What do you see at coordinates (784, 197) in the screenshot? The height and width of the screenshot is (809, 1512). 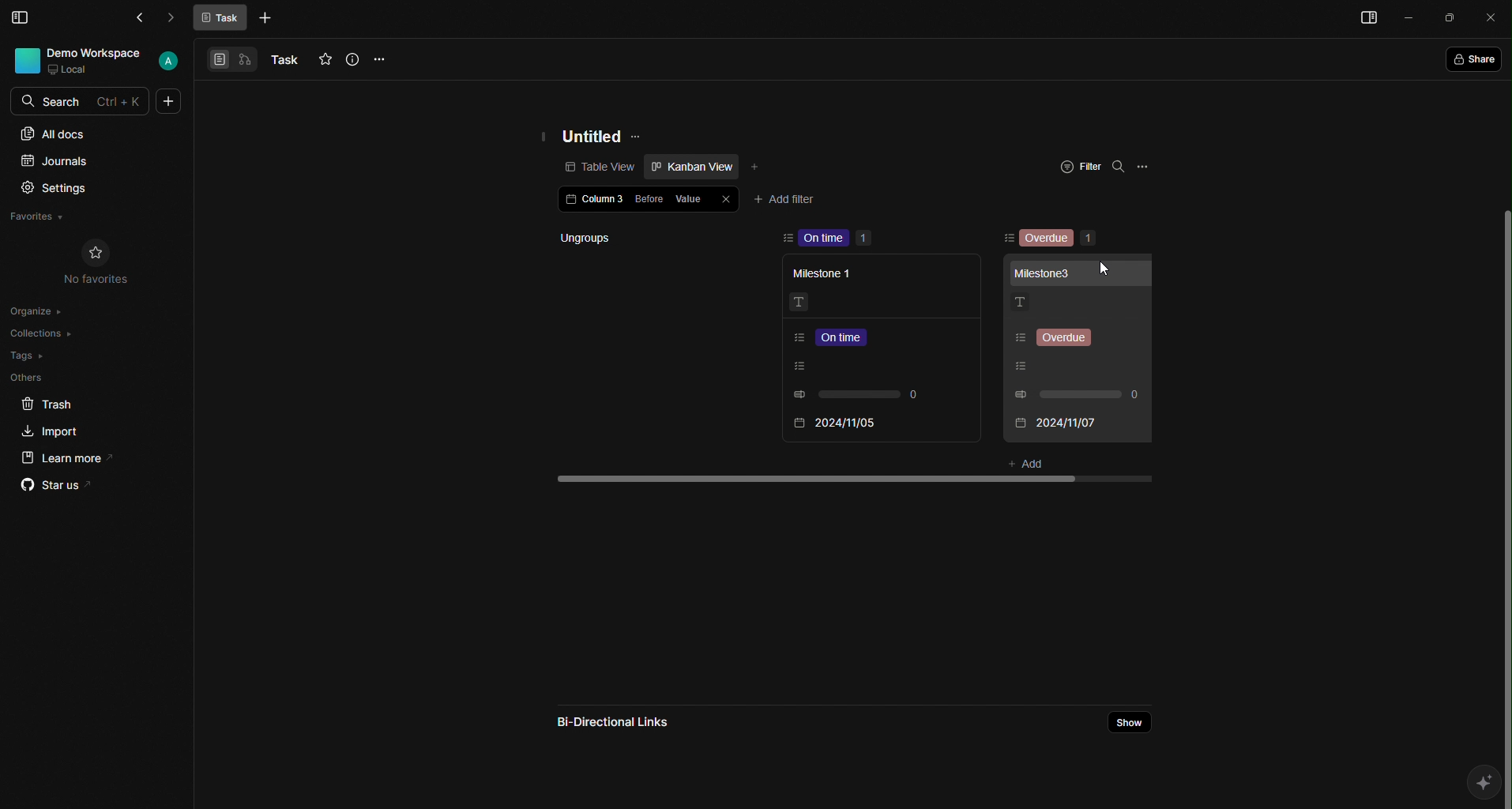 I see `Add filter` at bounding box center [784, 197].